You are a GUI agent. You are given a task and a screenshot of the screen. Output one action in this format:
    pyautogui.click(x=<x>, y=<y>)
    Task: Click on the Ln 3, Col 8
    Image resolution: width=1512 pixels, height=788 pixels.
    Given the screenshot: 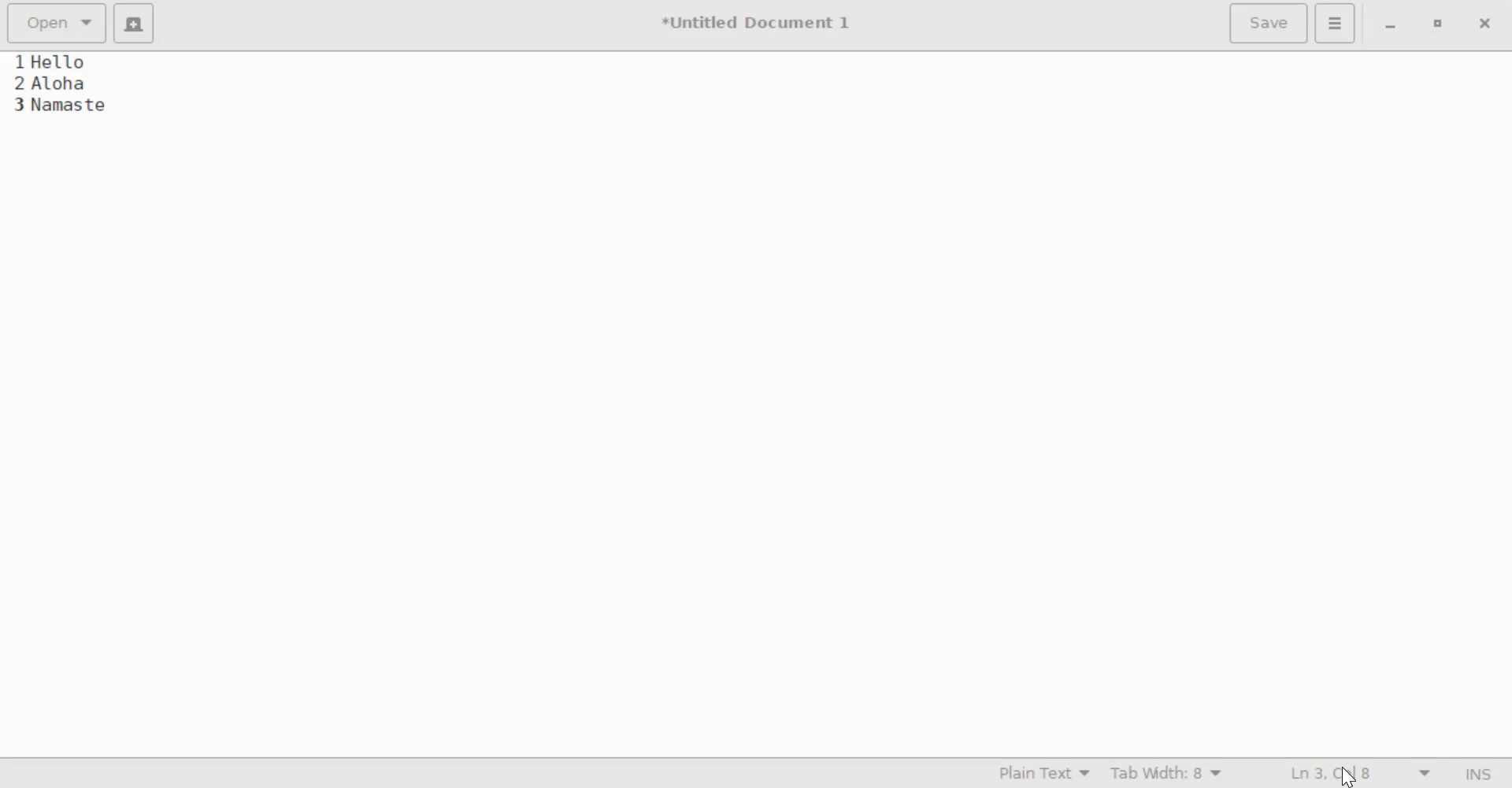 What is the action you would take?
    pyautogui.click(x=1360, y=771)
    